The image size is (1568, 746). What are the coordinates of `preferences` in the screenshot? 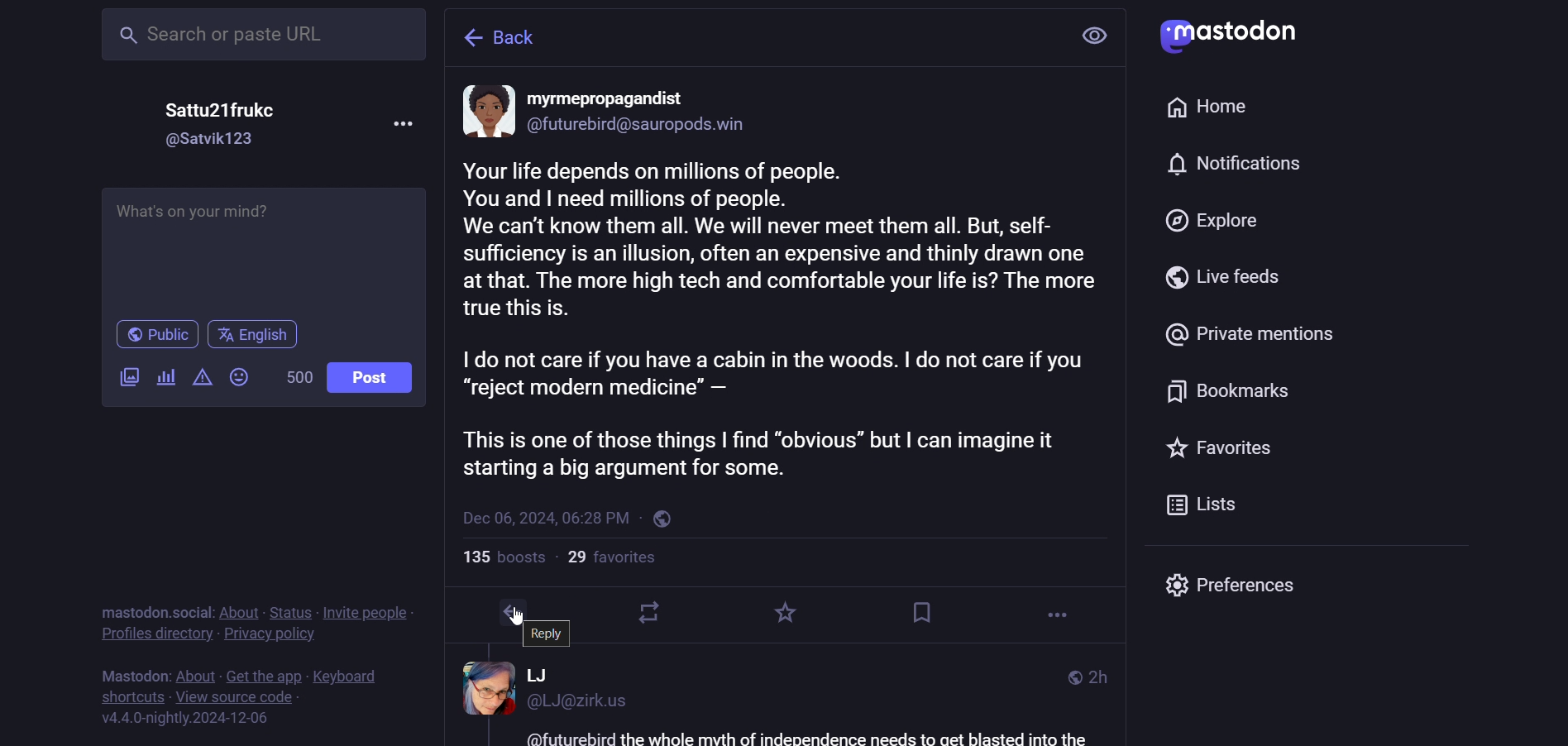 It's located at (1234, 587).